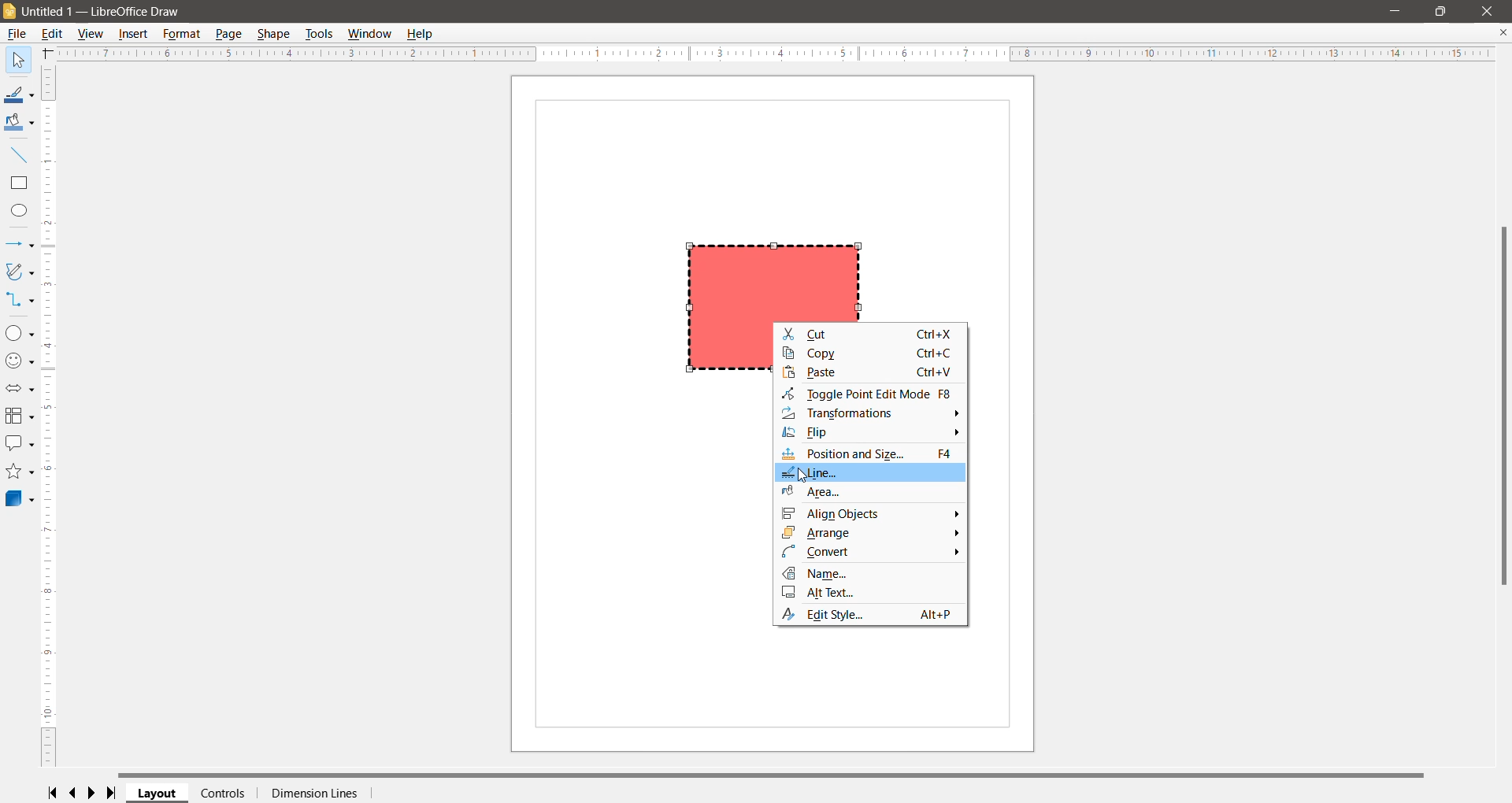  What do you see at coordinates (833, 514) in the screenshot?
I see `Align Objects` at bounding box center [833, 514].